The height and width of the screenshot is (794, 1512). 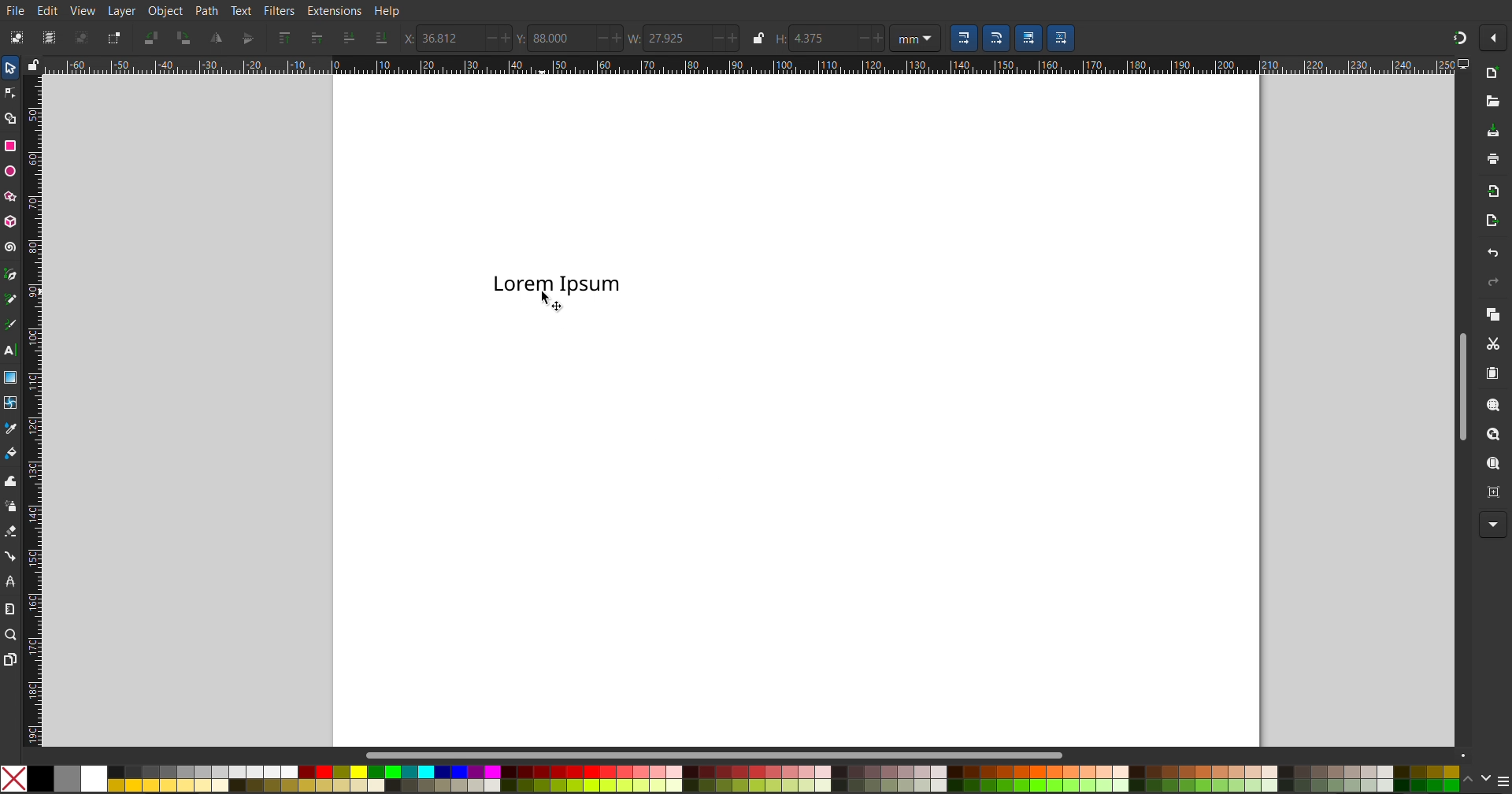 What do you see at coordinates (1492, 161) in the screenshot?
I see `Print` at bounding box center [1492, 161].